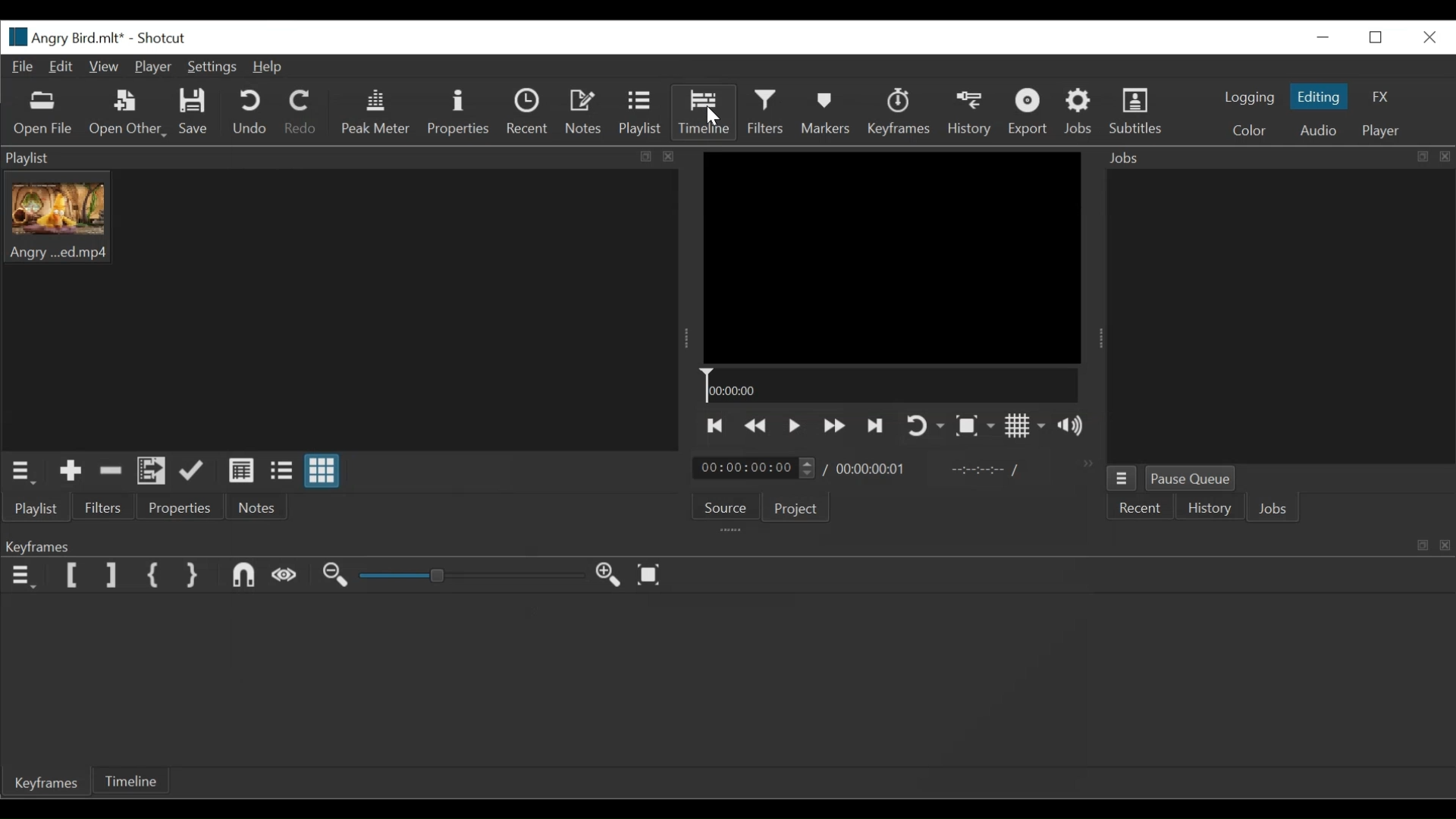 This screenshot has height=819, width=1456. What do you see at coordinates (1326, 37) in the screenshot?
I see `Minimize` at bounding box center [1326, 37].